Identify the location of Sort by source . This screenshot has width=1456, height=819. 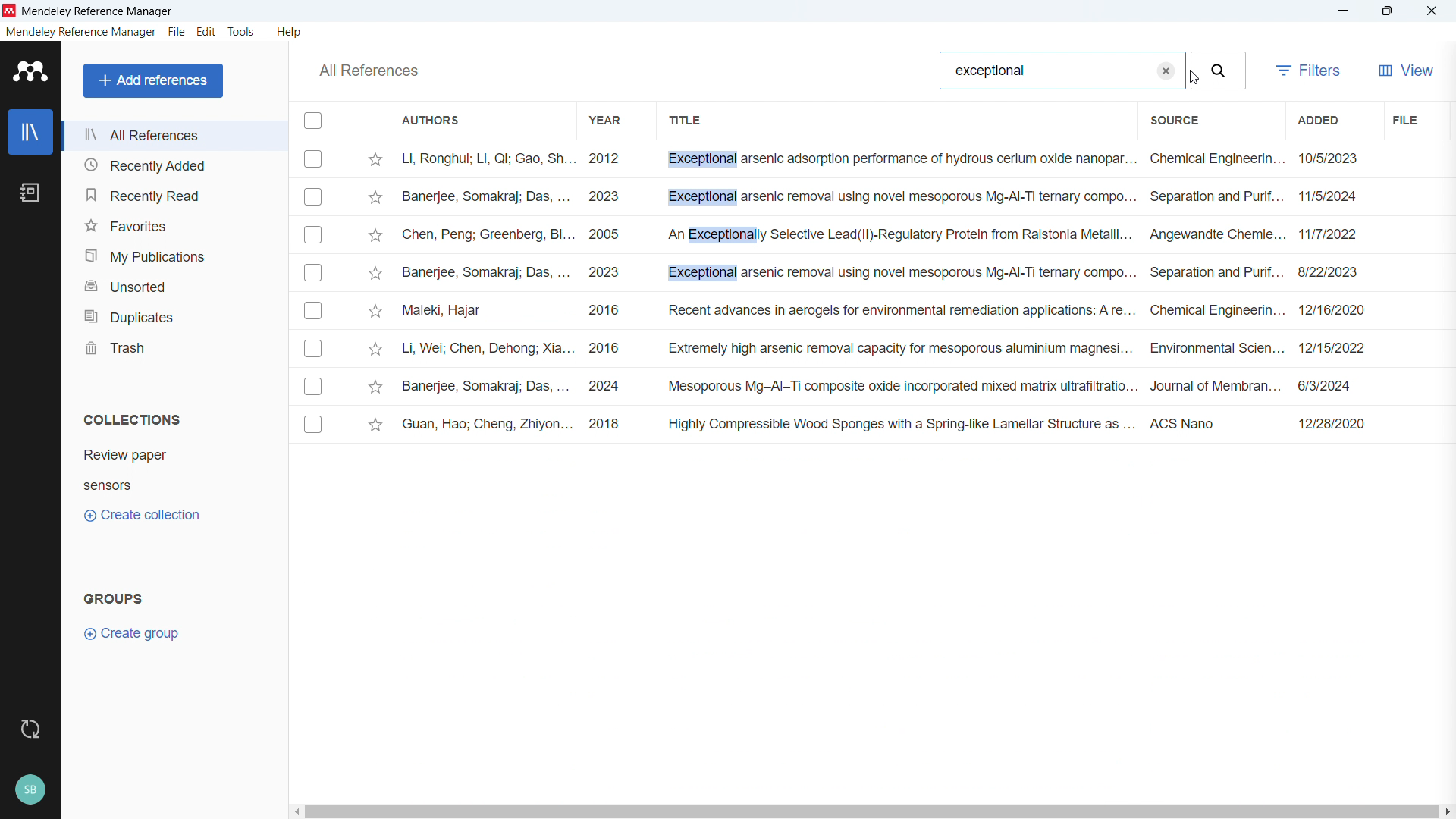
(1174, 121).